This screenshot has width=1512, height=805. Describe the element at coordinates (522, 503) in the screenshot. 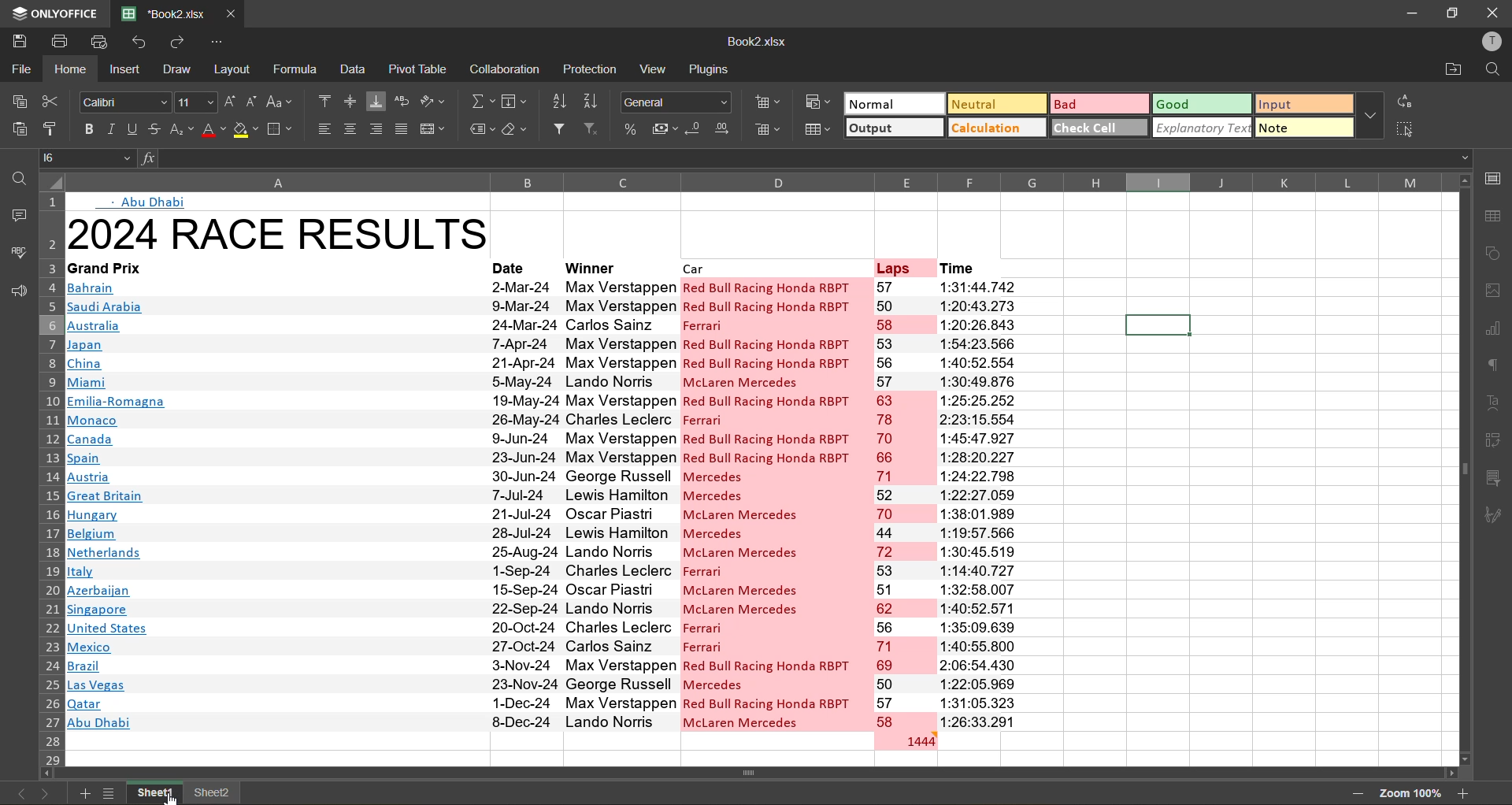

I see `date` at that location.